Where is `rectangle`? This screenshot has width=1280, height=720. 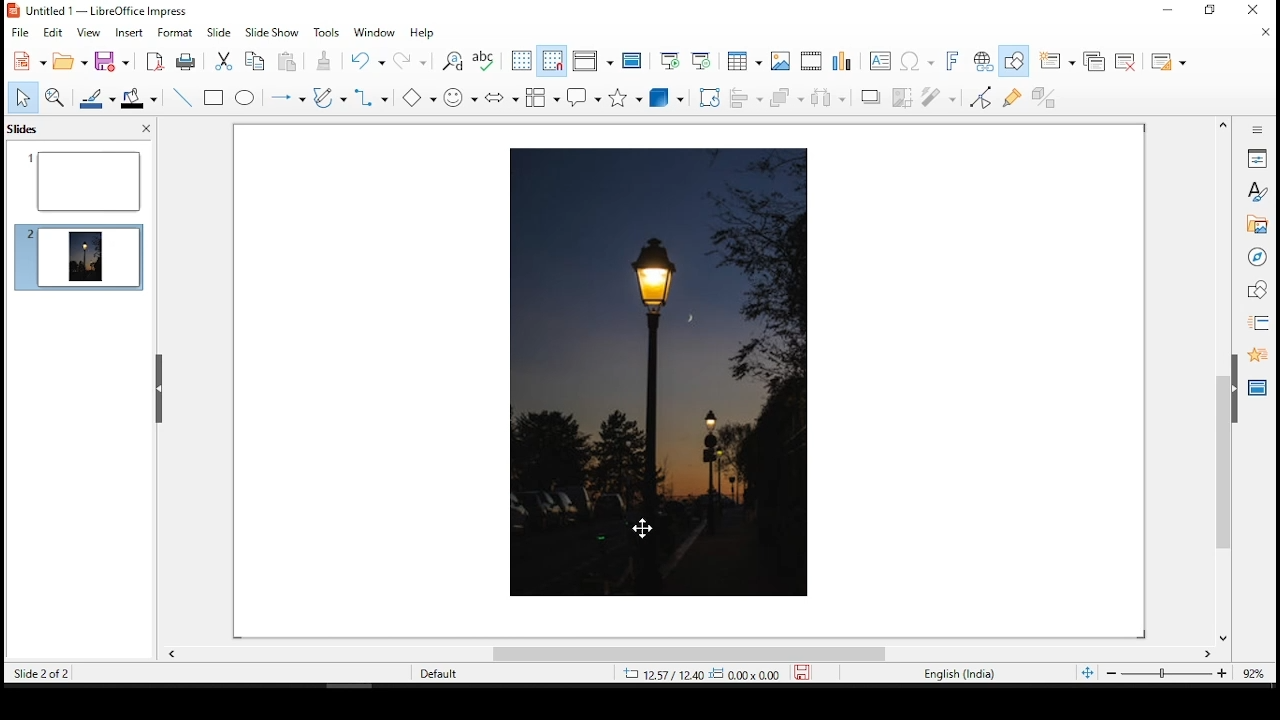
rectangle is located at coordinates (215, 98).